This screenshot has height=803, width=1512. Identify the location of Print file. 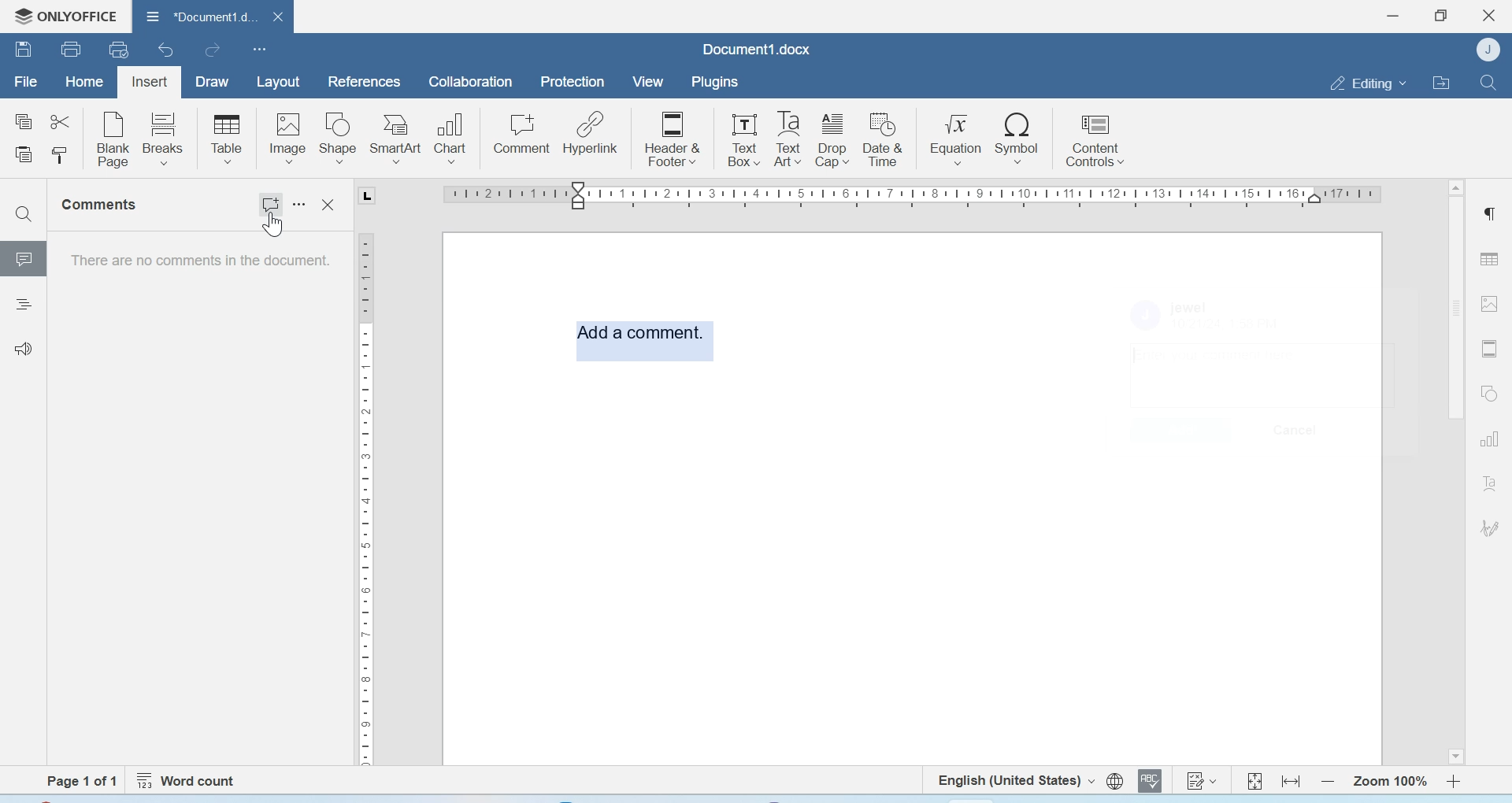
(73, 49).